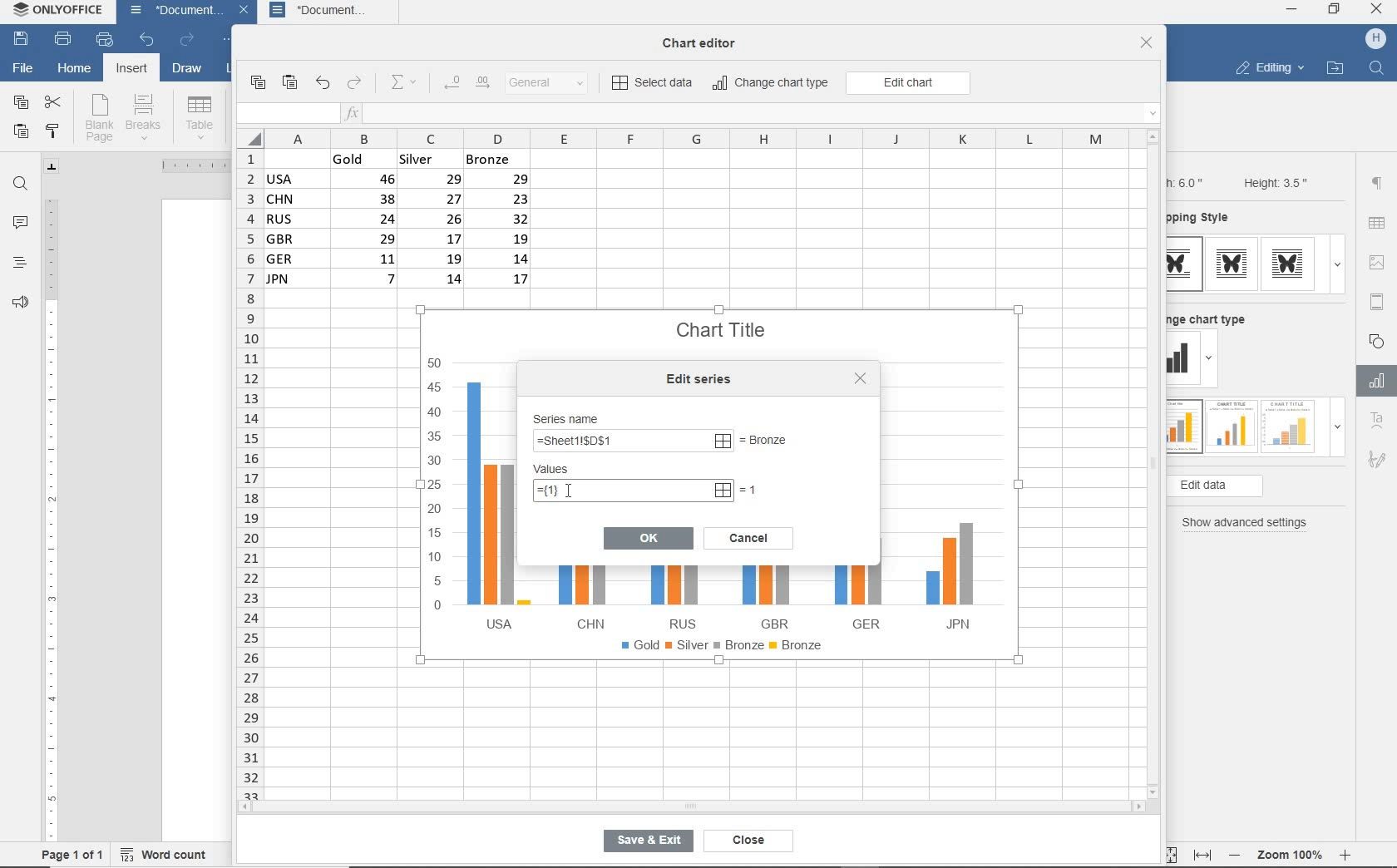 This screenshot has width=1397, height=868. What do you see at coordinates (1273, 182) in the screenshot?
I see `Height: 3.5"` at bounding box center [1273, 182].